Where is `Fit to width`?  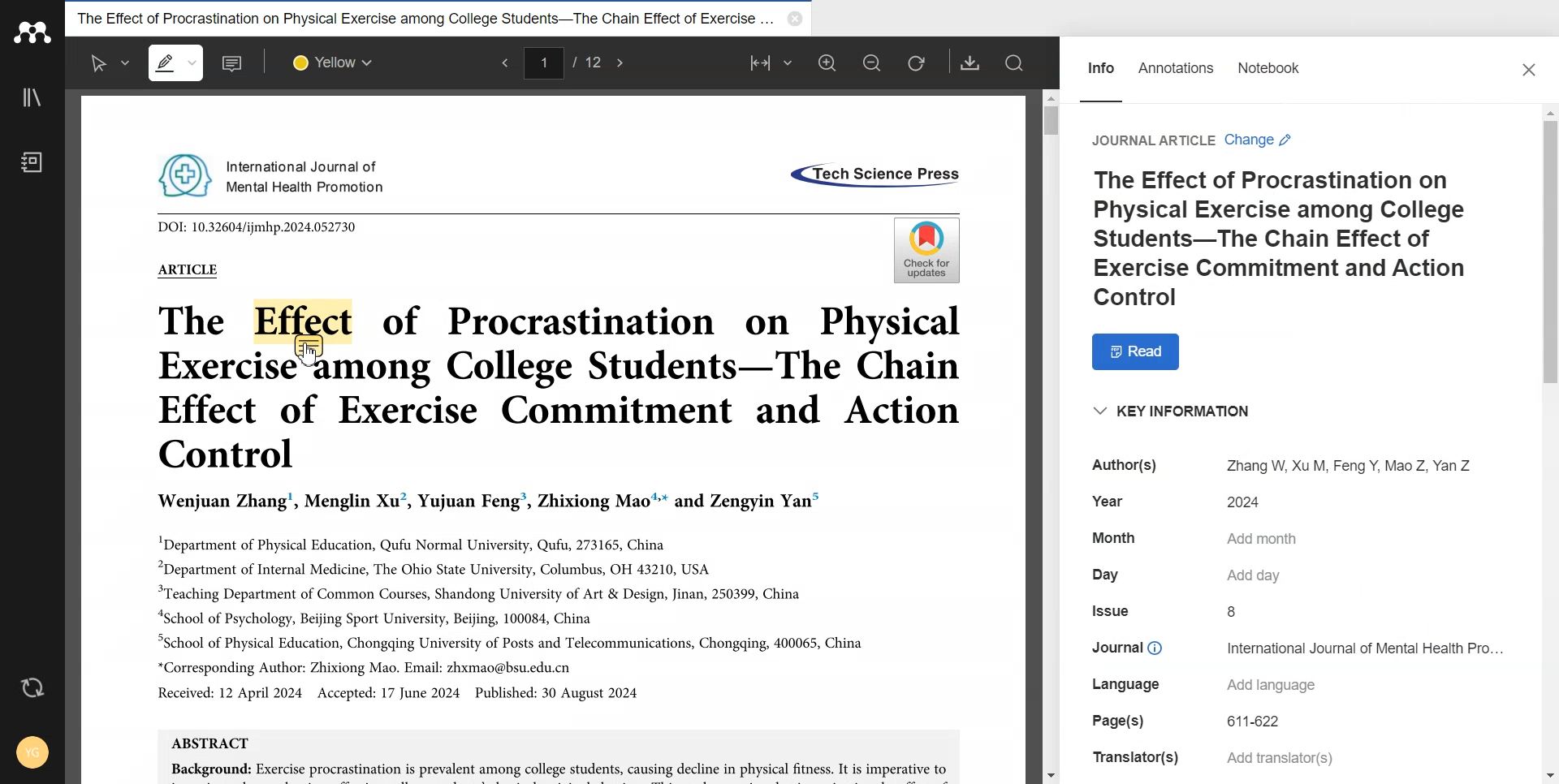 Fit to width is located at coordinates (773, 62).